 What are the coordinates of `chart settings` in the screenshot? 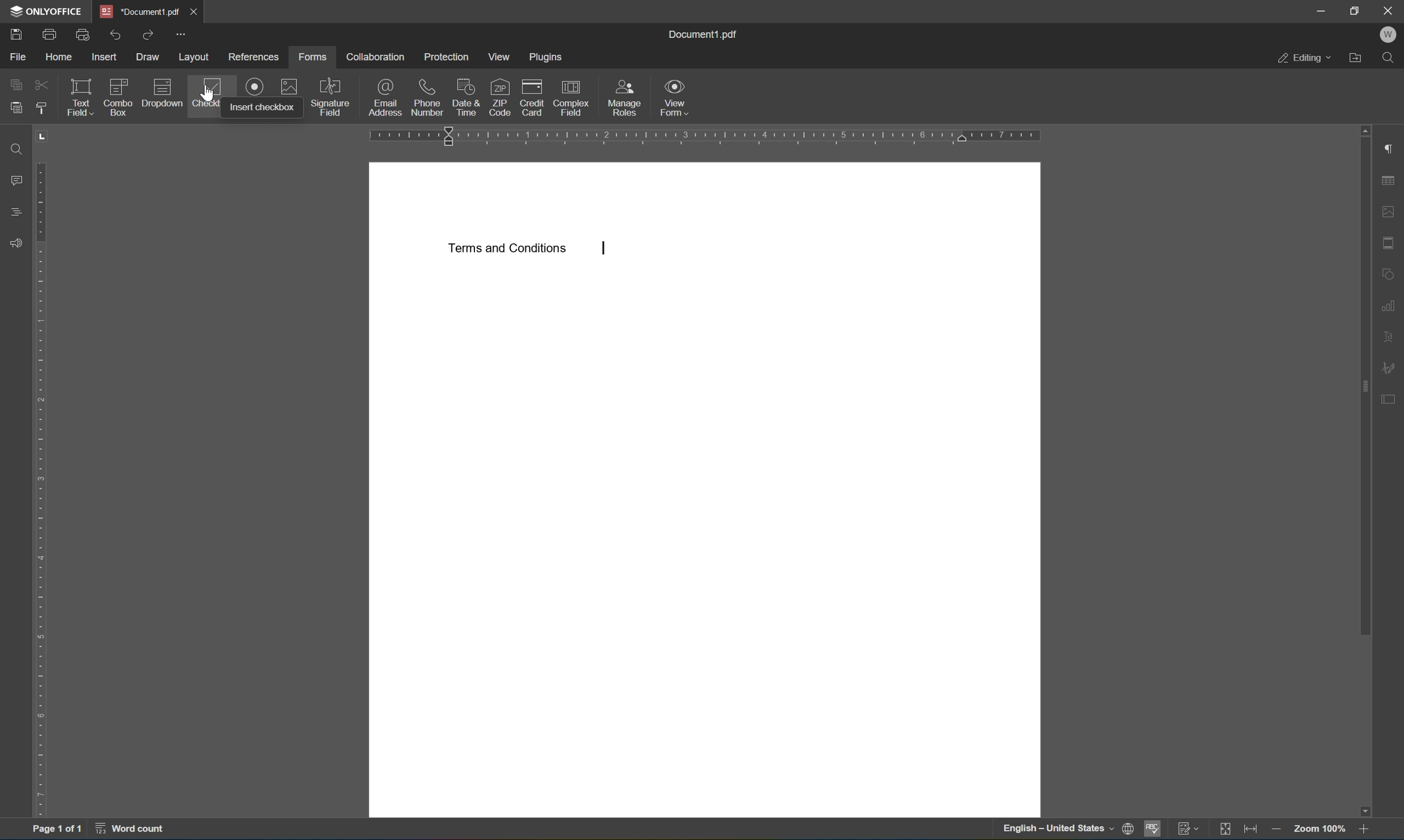 It's located at (1389, 308).